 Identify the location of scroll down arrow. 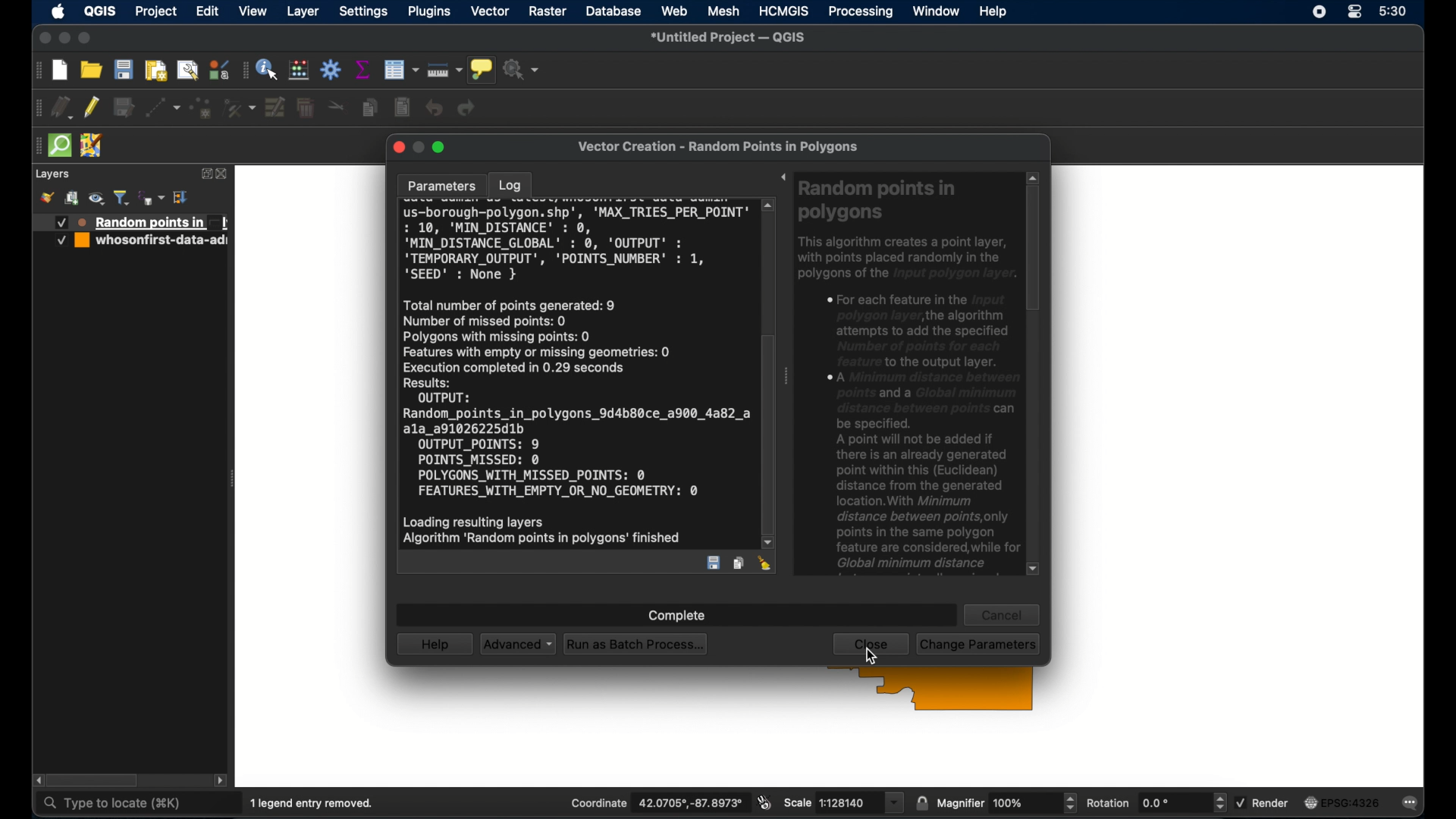
(1034, 569).